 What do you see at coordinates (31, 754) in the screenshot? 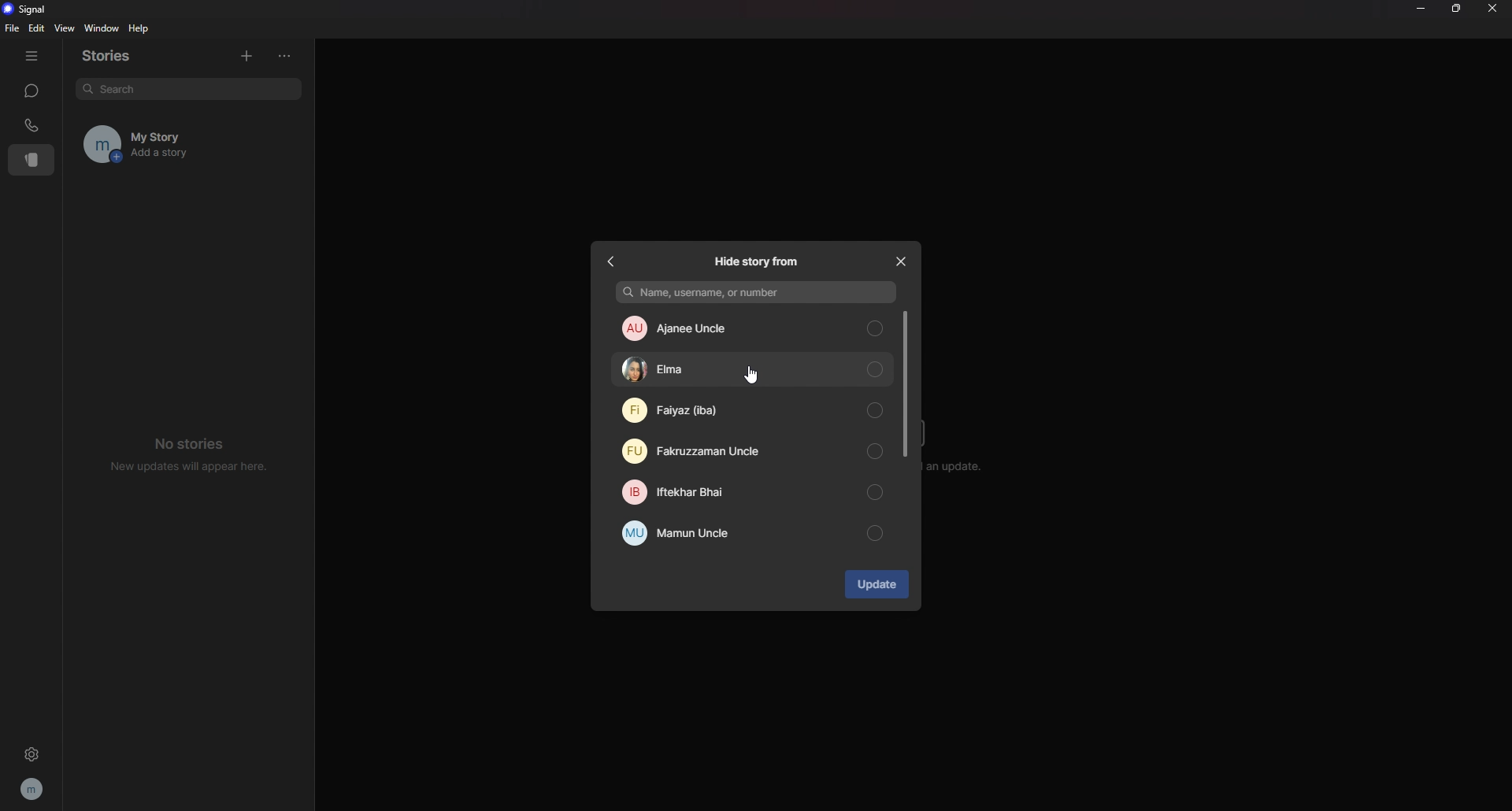
I see `settings` at bounding box center [31, 754].